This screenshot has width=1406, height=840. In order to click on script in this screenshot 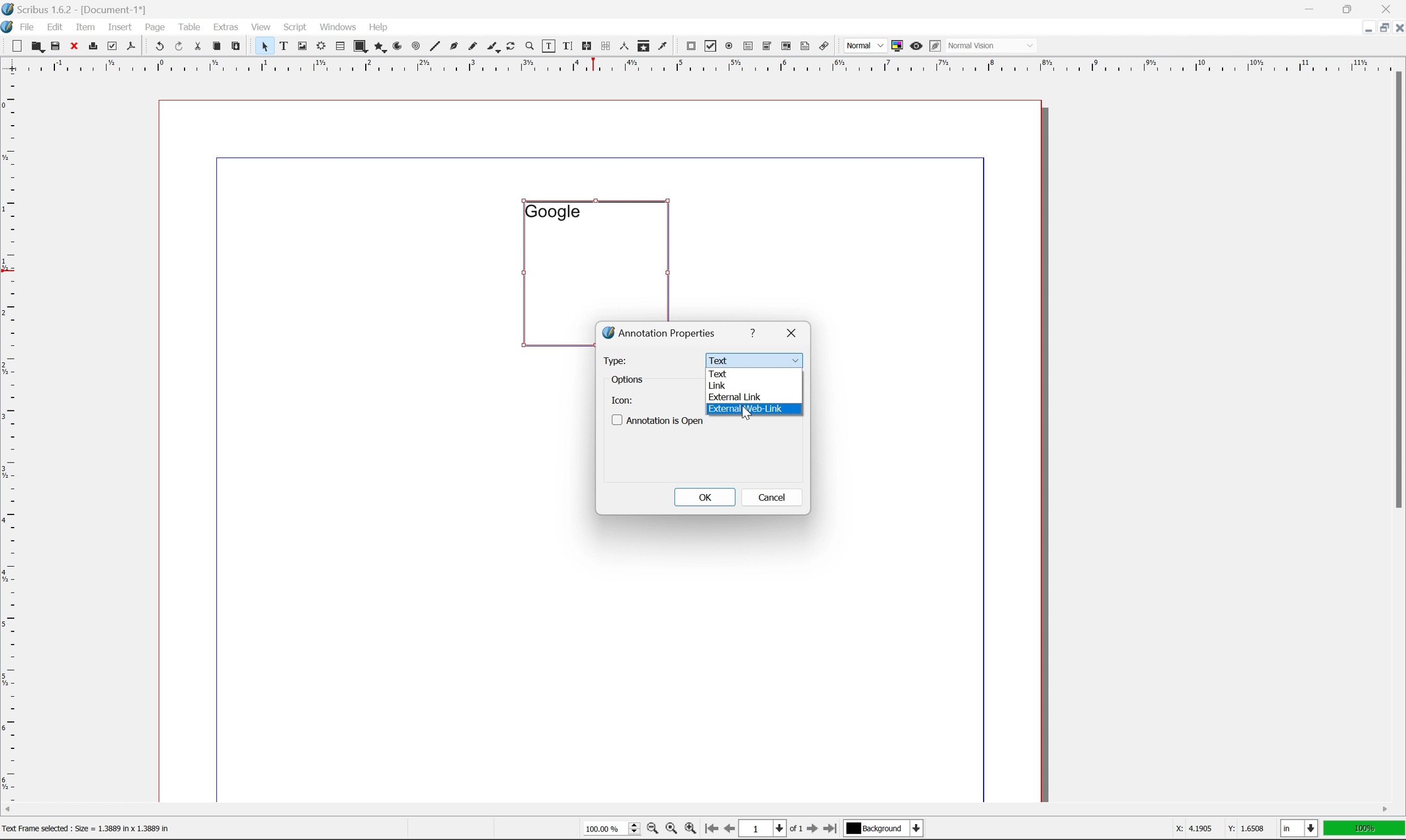, I will do `click(295, 27)`.